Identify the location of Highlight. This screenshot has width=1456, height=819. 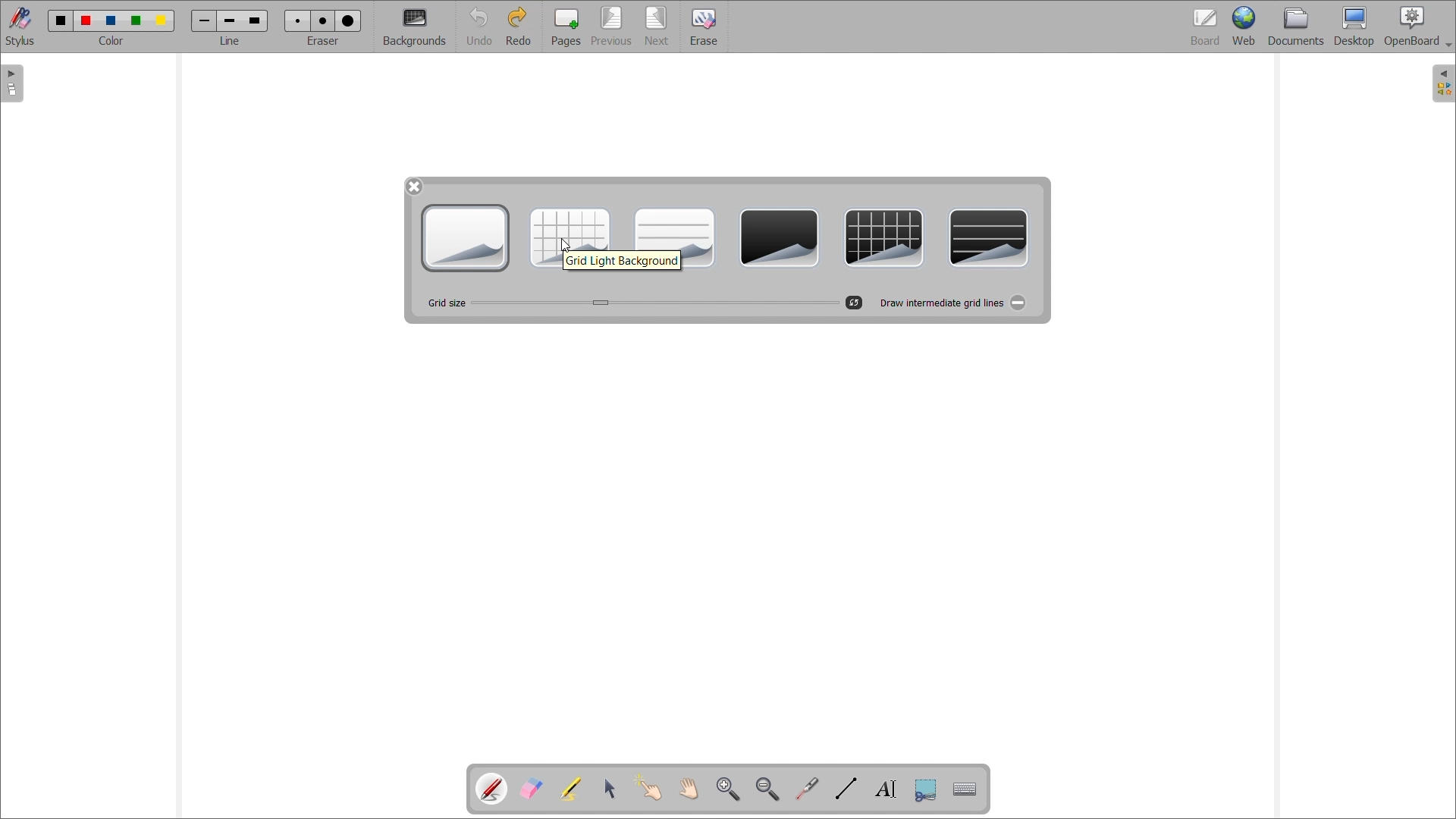
(570, 789).